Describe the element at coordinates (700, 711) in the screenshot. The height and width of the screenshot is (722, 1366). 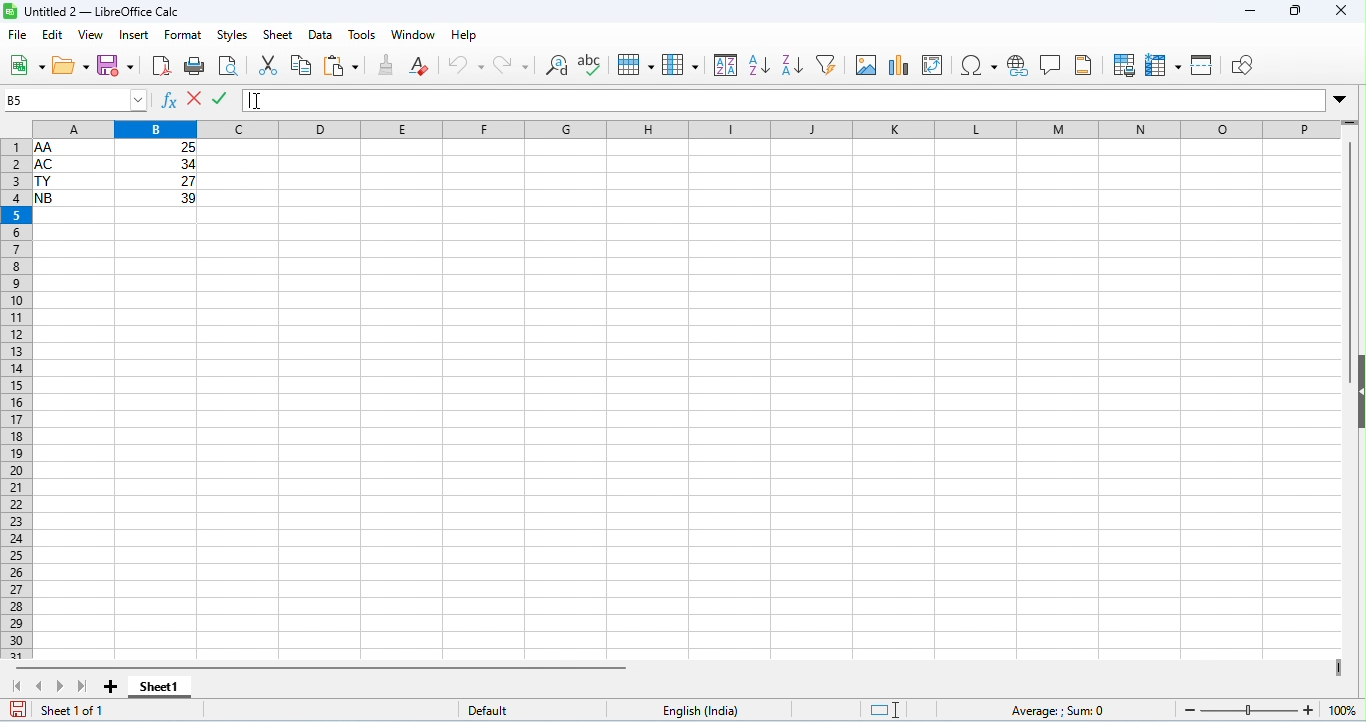
I see `English india` at that location.